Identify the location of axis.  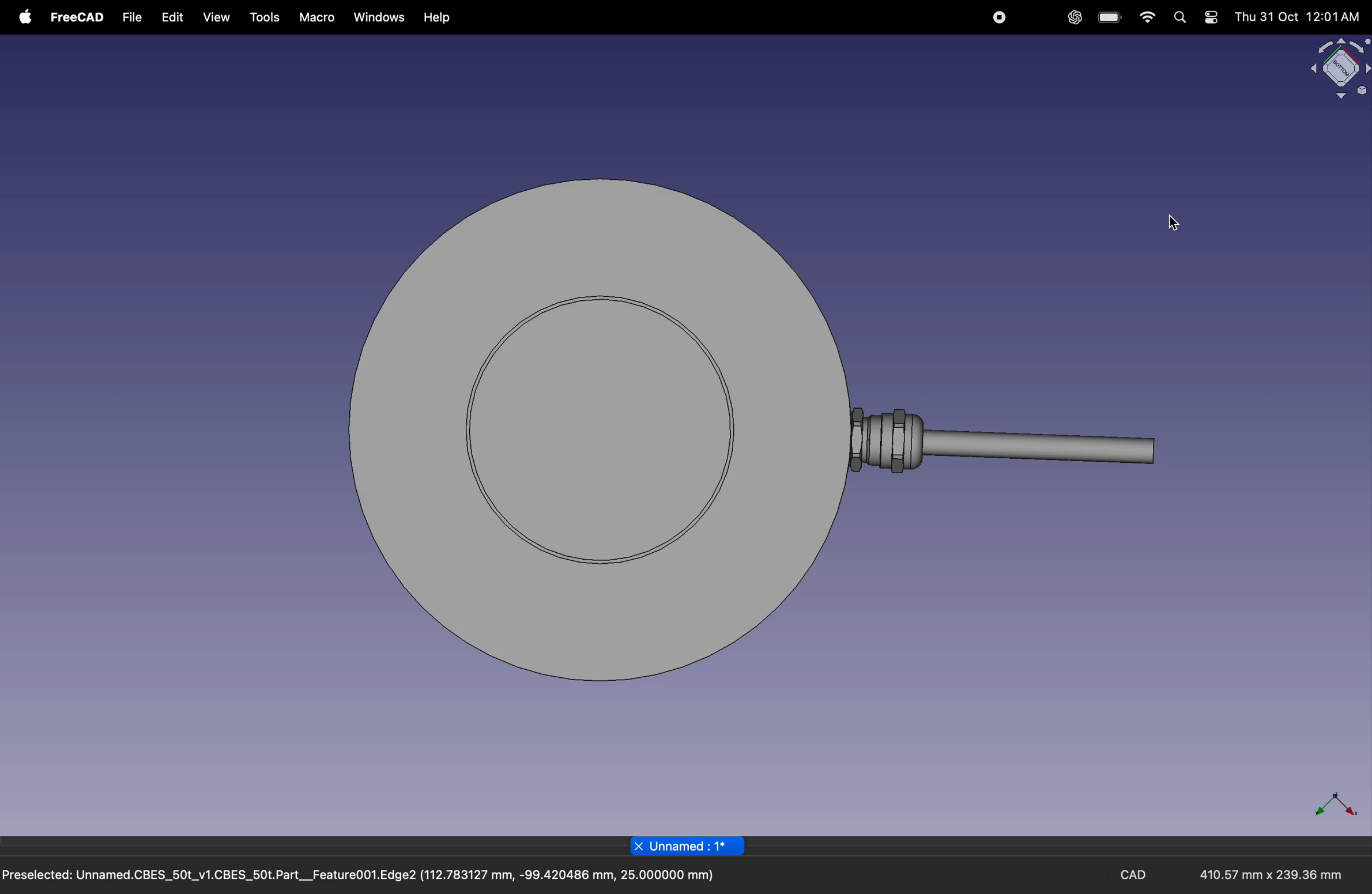
(1336, 806).